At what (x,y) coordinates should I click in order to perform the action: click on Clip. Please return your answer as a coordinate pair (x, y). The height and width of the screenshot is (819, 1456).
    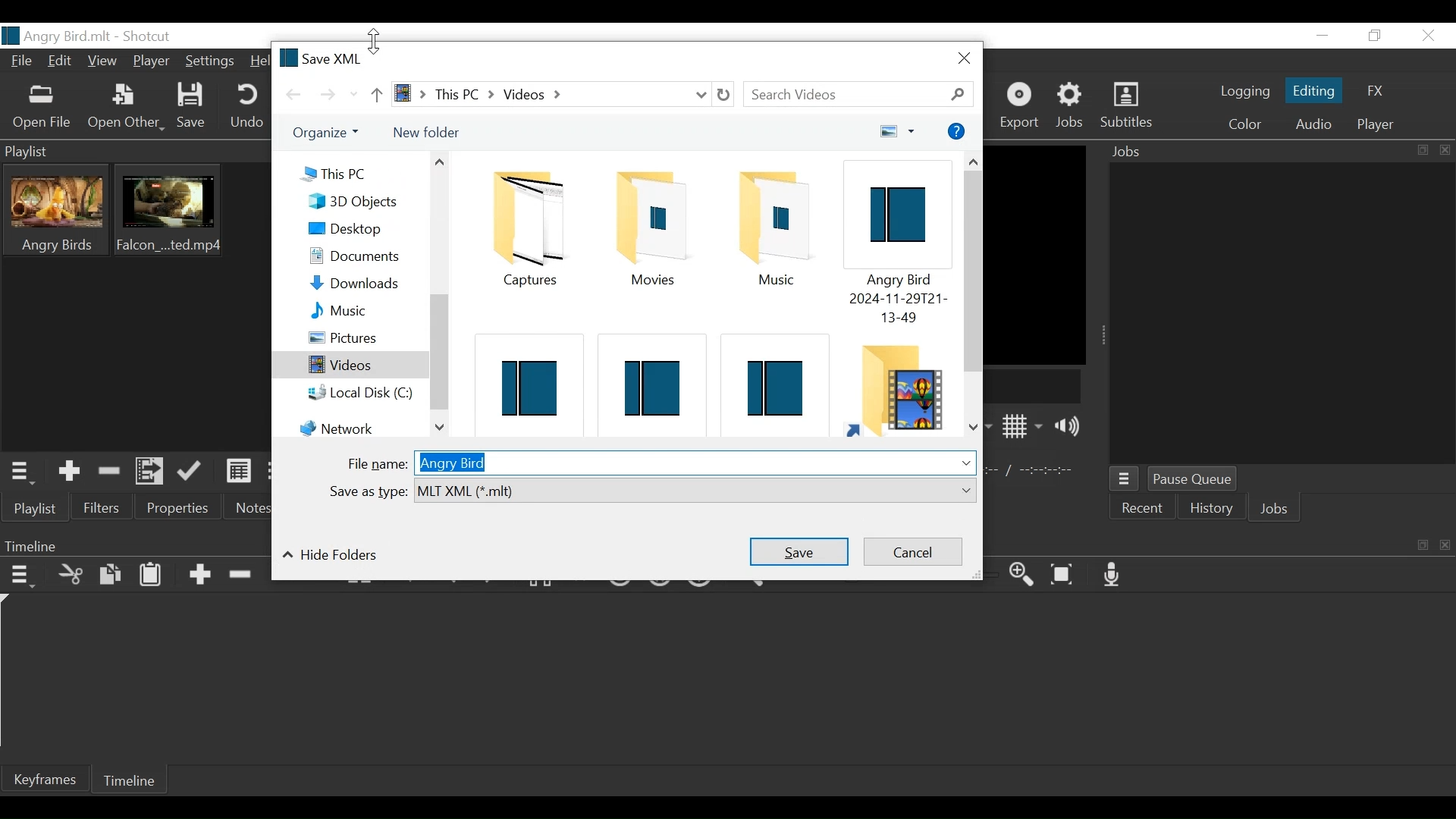
    Looking at the image, I should click on (52, 209).